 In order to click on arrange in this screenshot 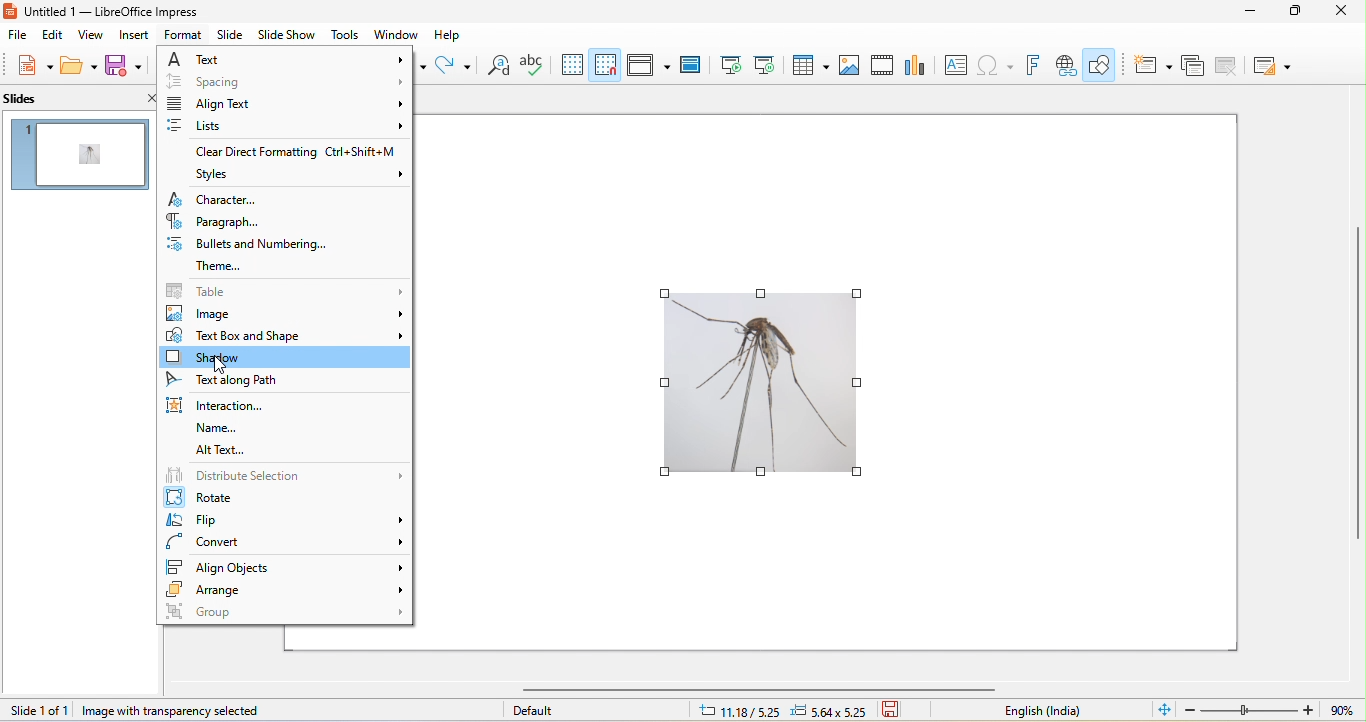, I will do `click(287, 589)`.